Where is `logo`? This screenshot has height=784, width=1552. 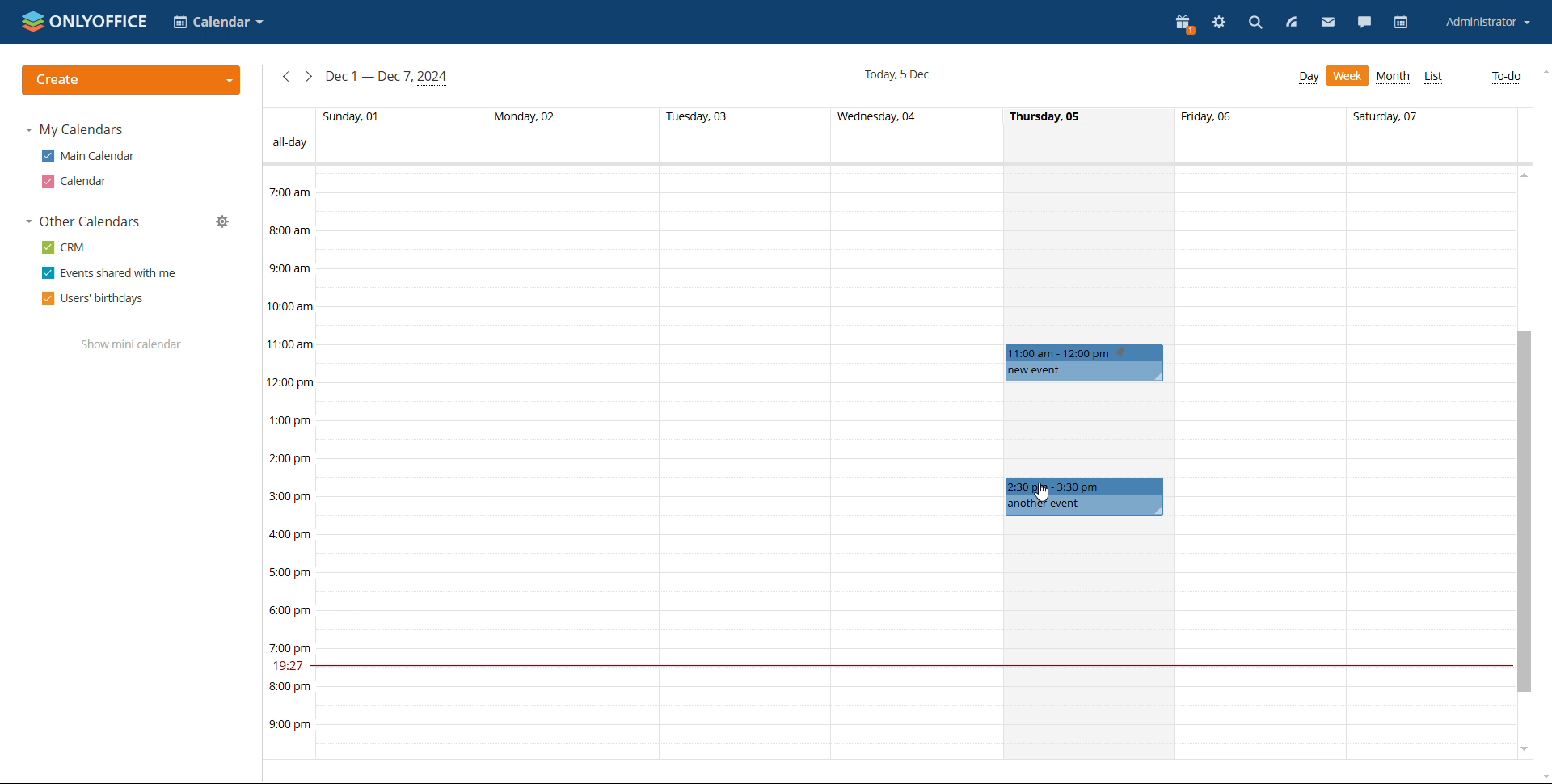 logo is located at coordinates (86, 21).